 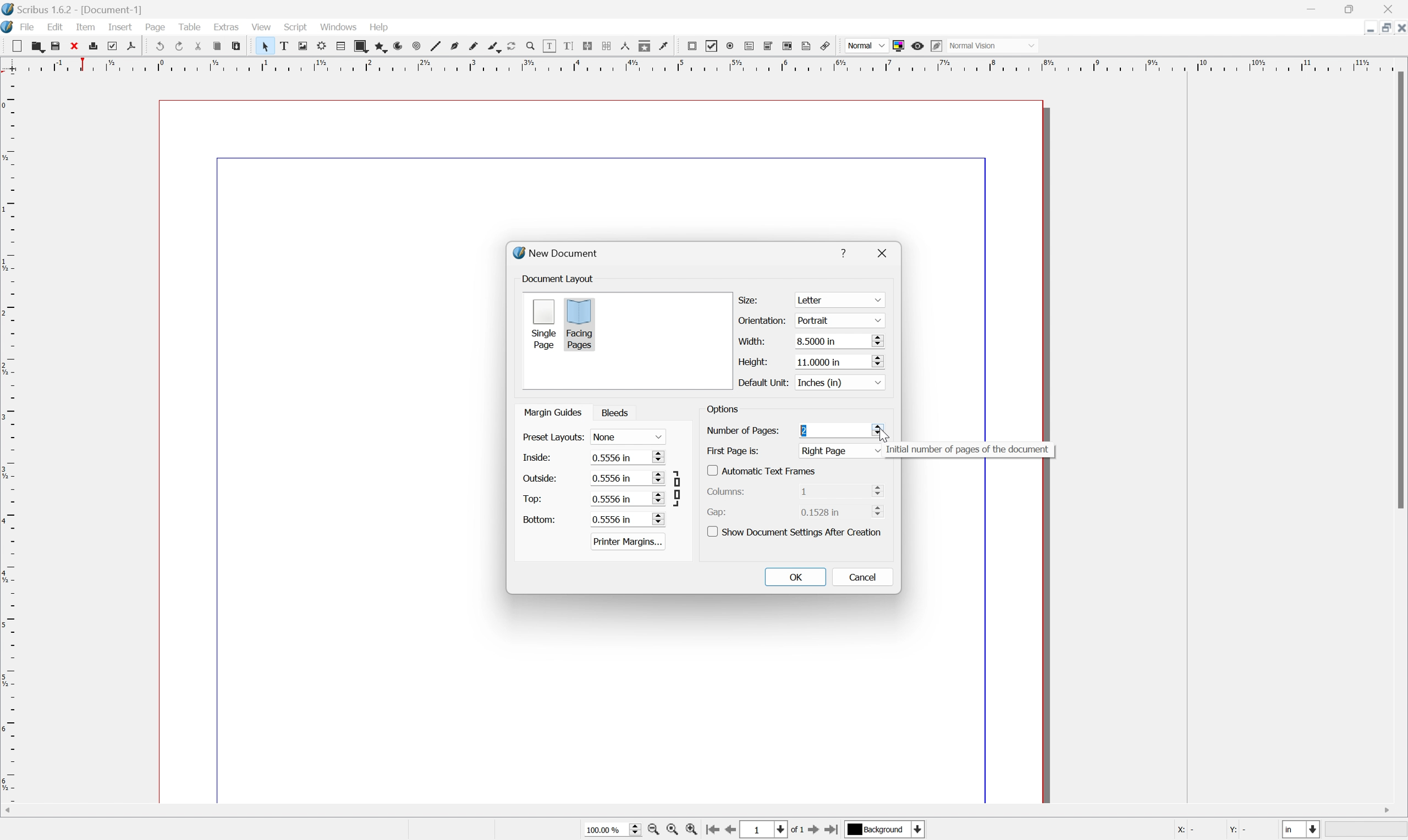 What do you see at coordinates (761, 382) in the screenshot?
I see `default unit` at bounding box center [761, 382].